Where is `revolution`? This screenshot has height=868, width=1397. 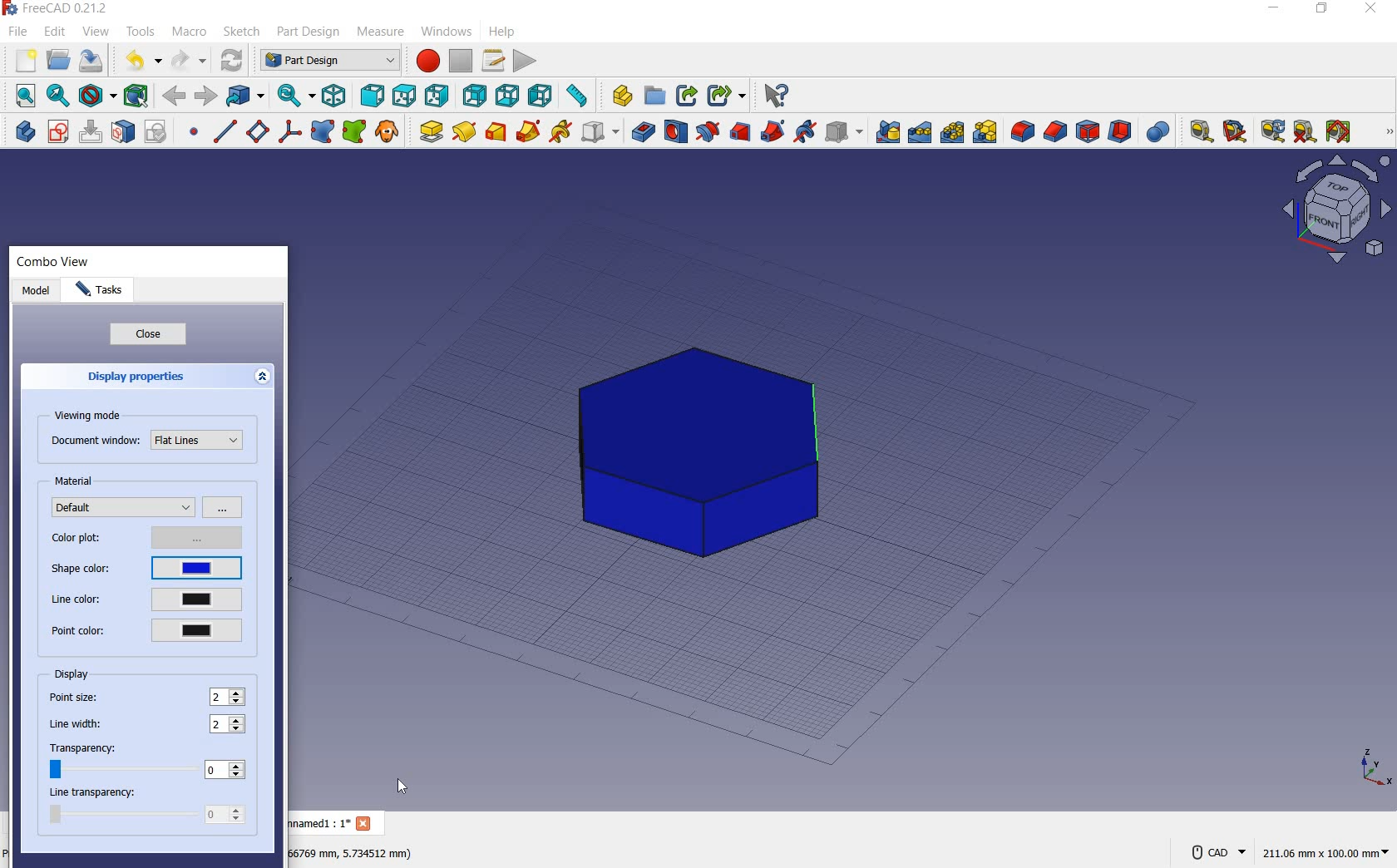 revolution is located at coordinates (464, 131).